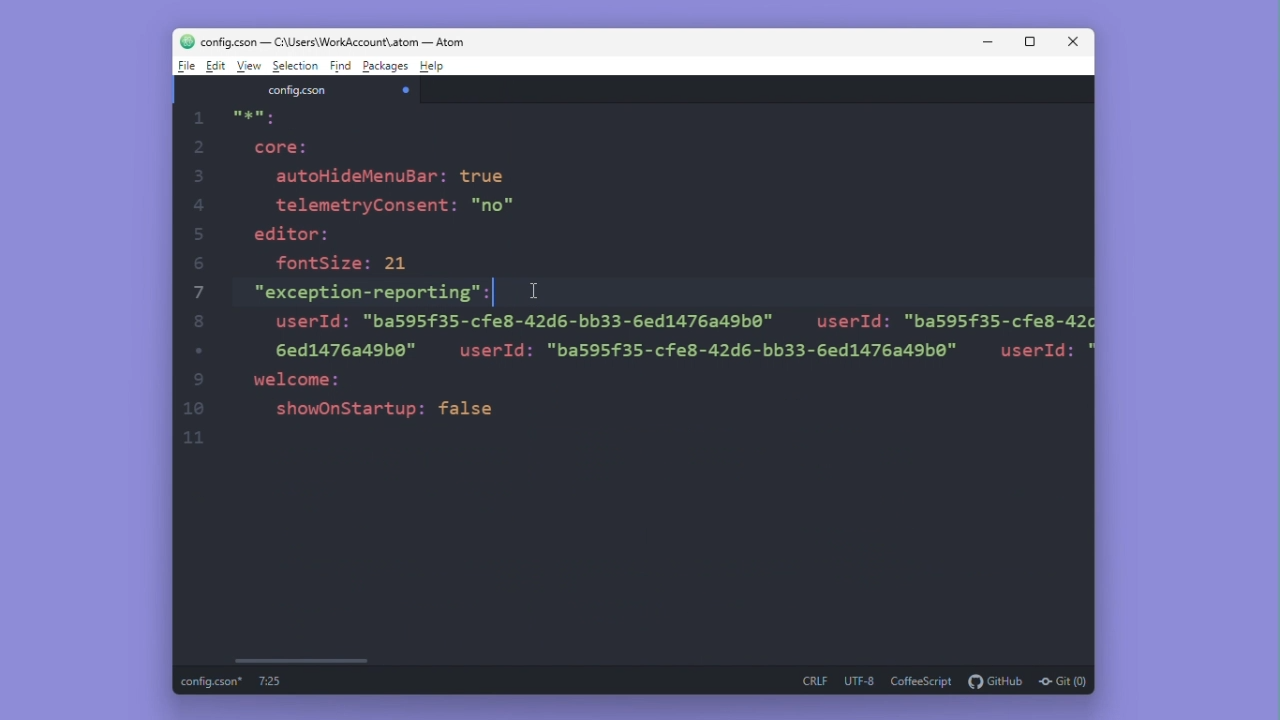 The image size is (1280, 720). What do you see at coordinates (813, 682) in the screenshot?
I see `crlf` at bounding box center [813, 682].